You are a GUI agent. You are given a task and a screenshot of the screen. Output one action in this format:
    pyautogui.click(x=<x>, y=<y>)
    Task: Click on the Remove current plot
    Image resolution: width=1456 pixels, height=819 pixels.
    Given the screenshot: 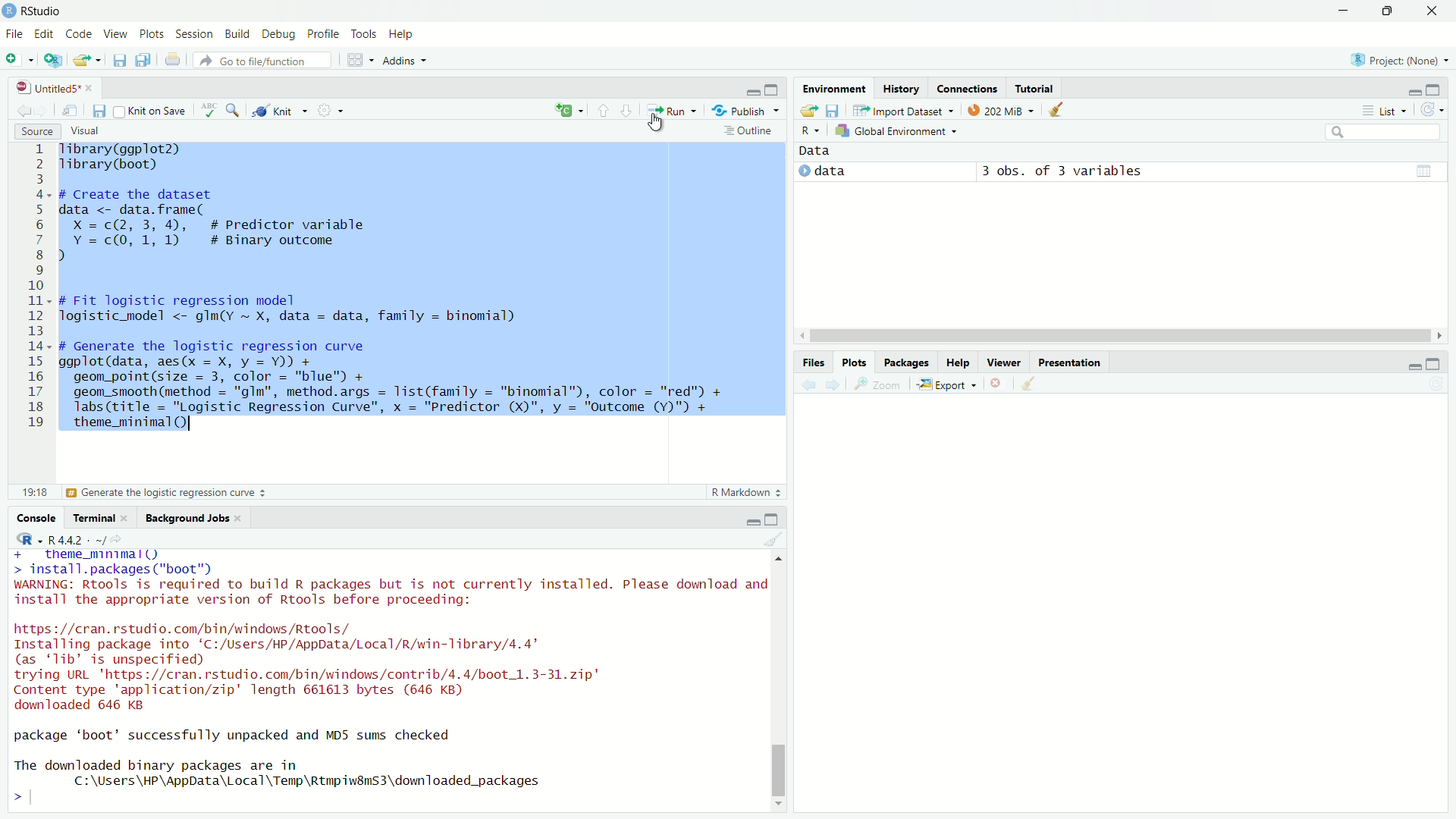 What is the action you would take?
    pyautogui.click(x=999, y=383)
    